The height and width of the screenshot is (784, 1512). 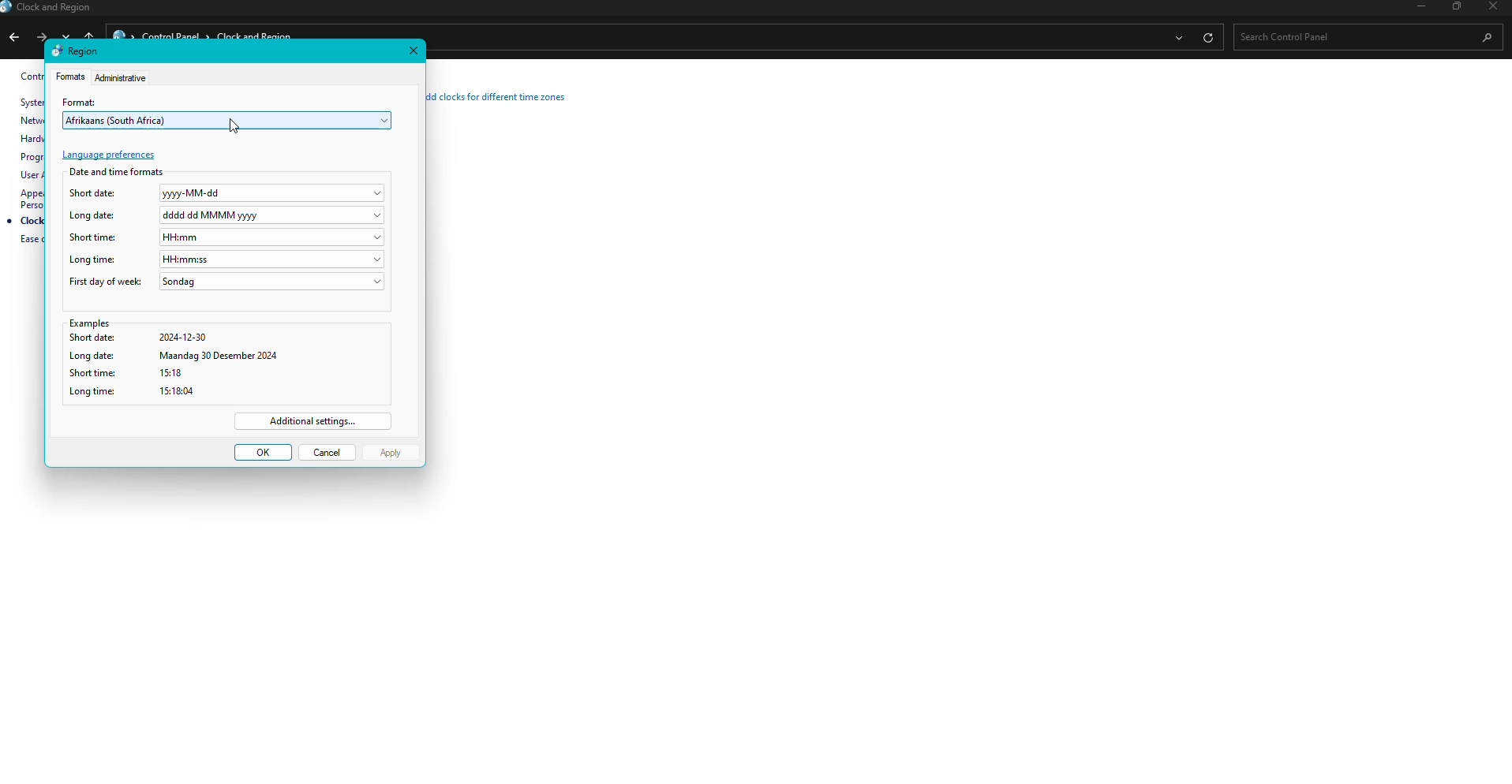 I want to click on Additional Settings, so click(x=314, y=421).